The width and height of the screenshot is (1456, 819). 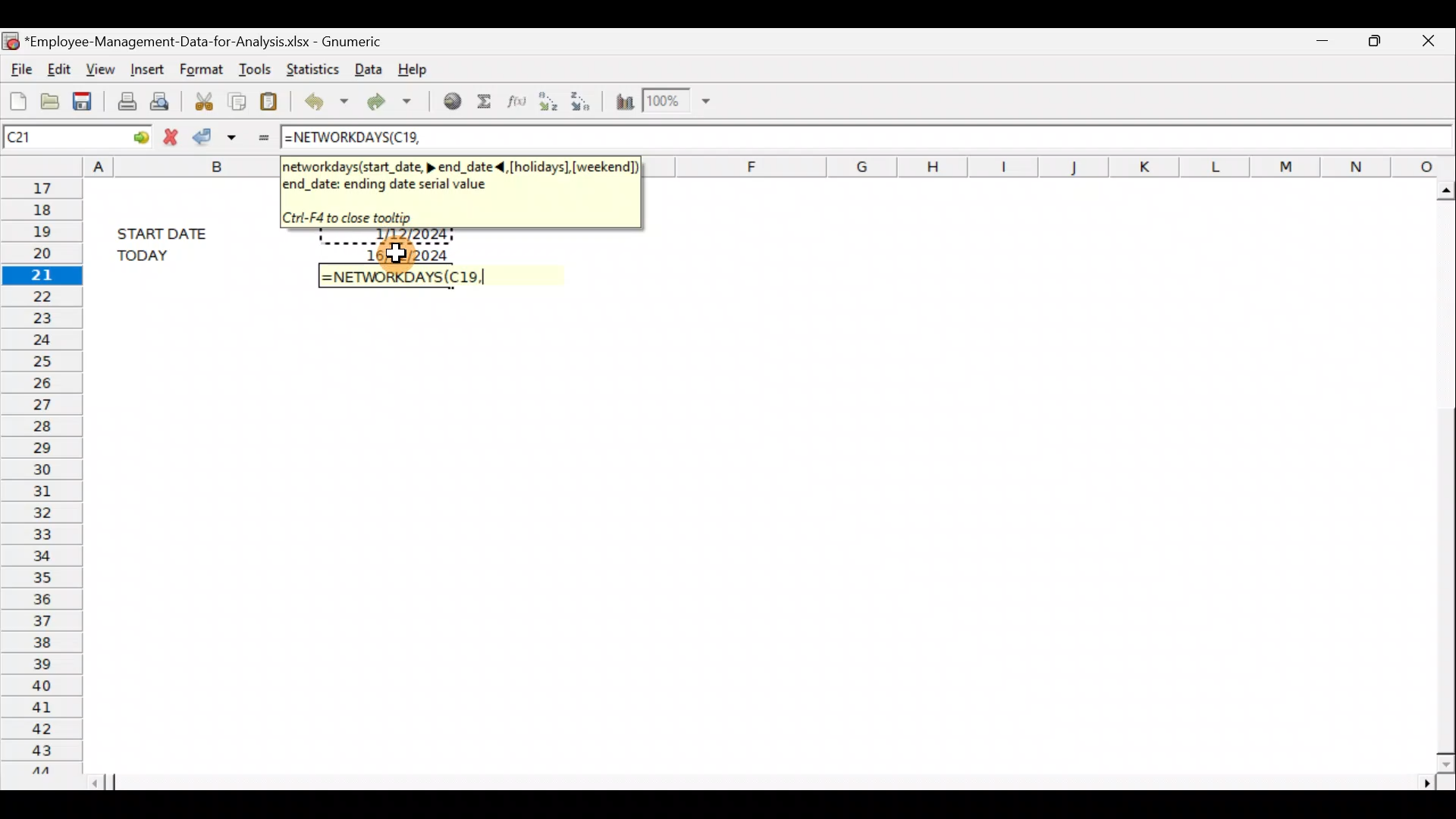 What do you see at coordinates (206, 42) in the screenshot?
I see `*Employee-Management-Data-for-Analysis.xlsx - Gnumeric` at bounding box center [206, 42].